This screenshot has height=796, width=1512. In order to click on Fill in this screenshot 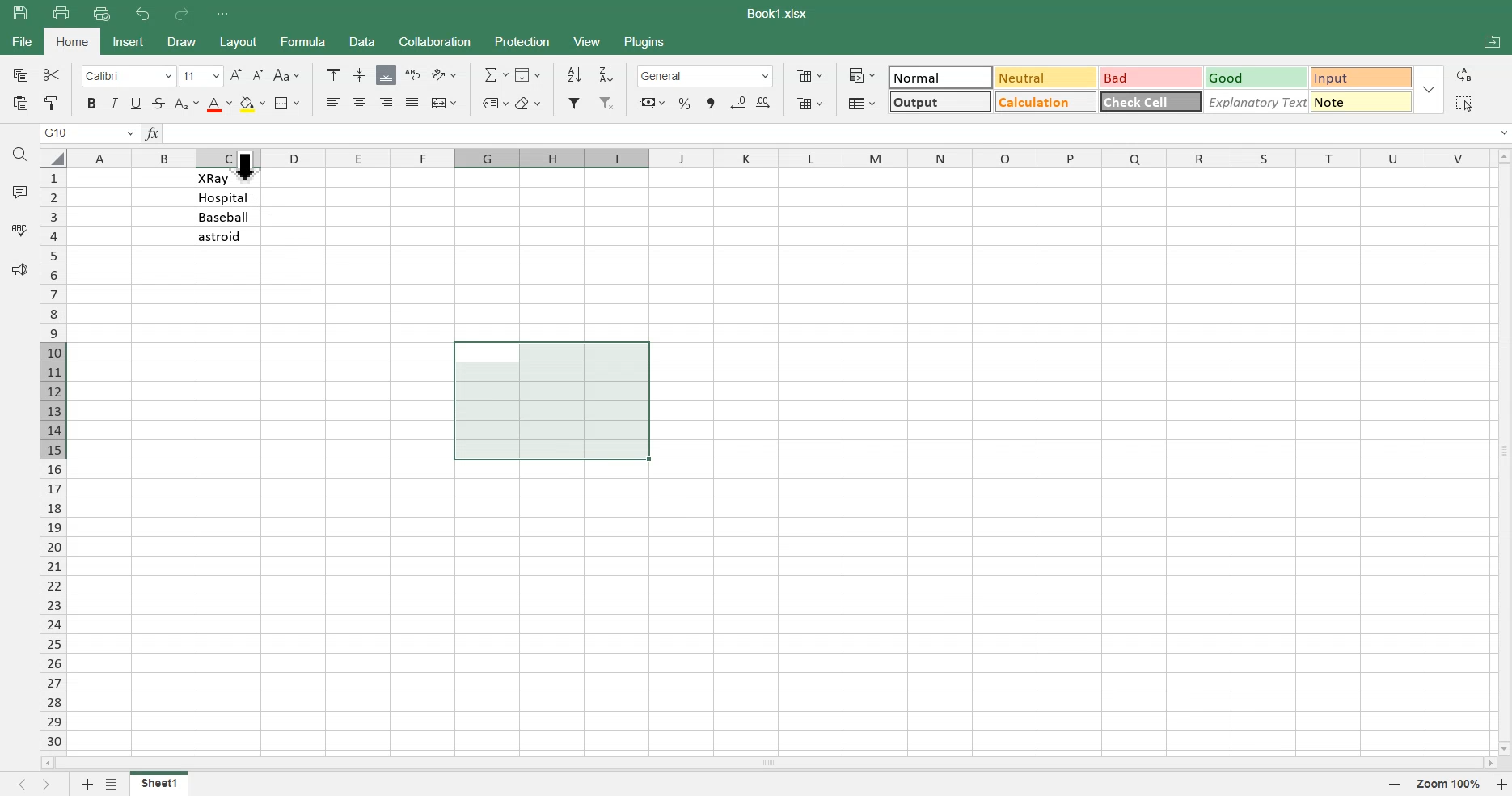, I will do `click(530, 74)`.